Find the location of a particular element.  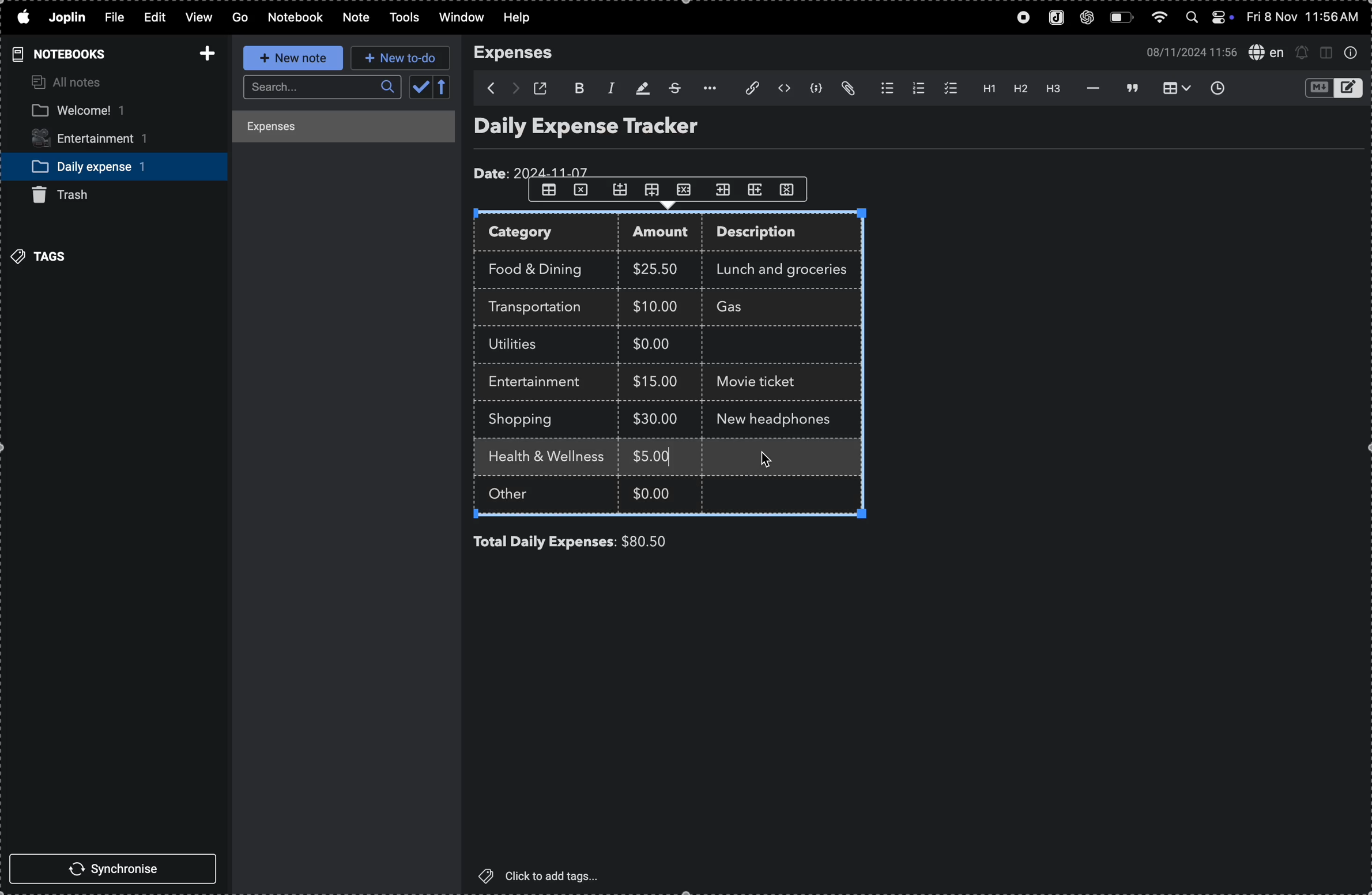

insert time is located at coordinates (1216, 88).